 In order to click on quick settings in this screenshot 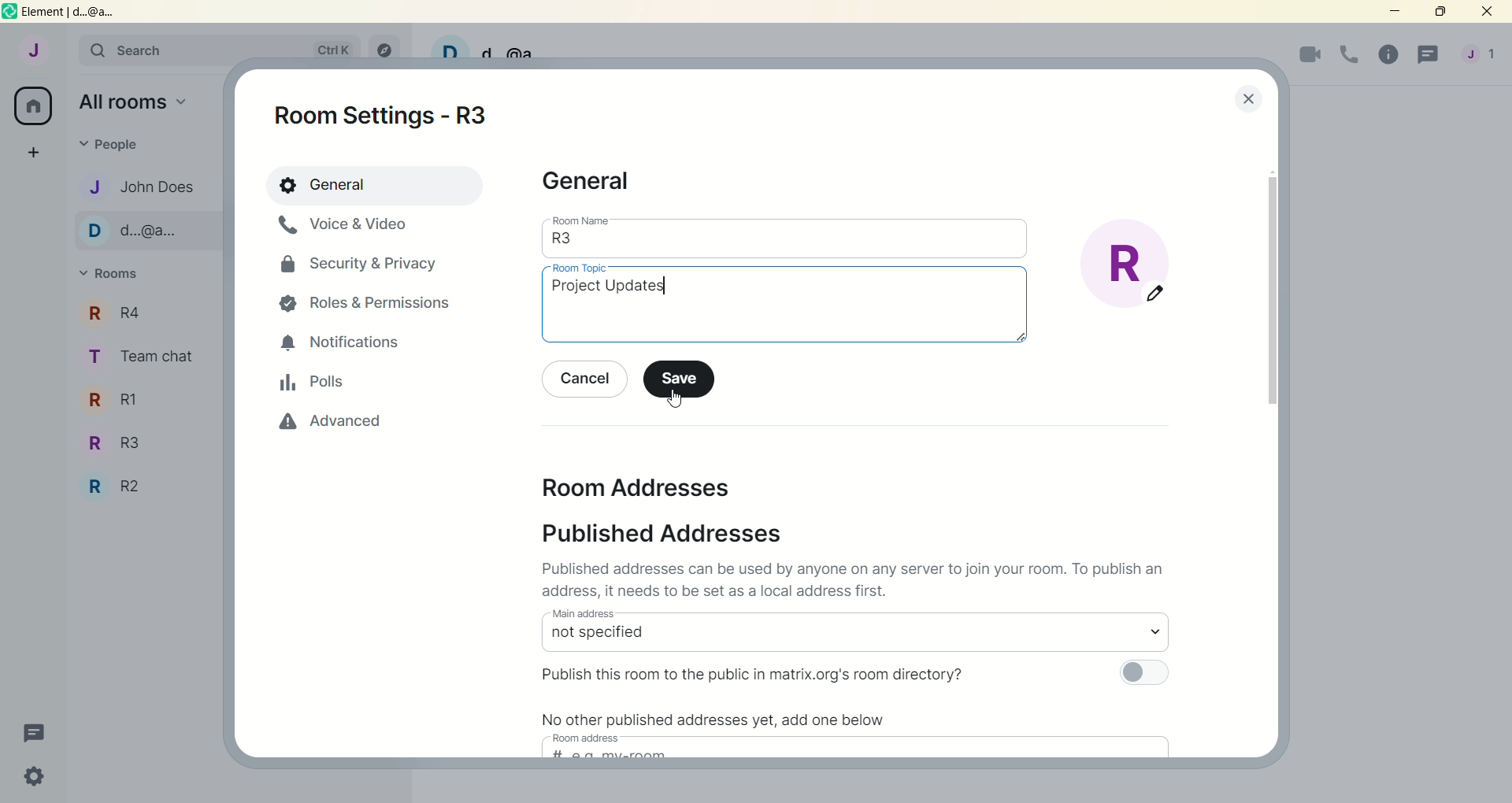, I will do `click(39, 778)`.